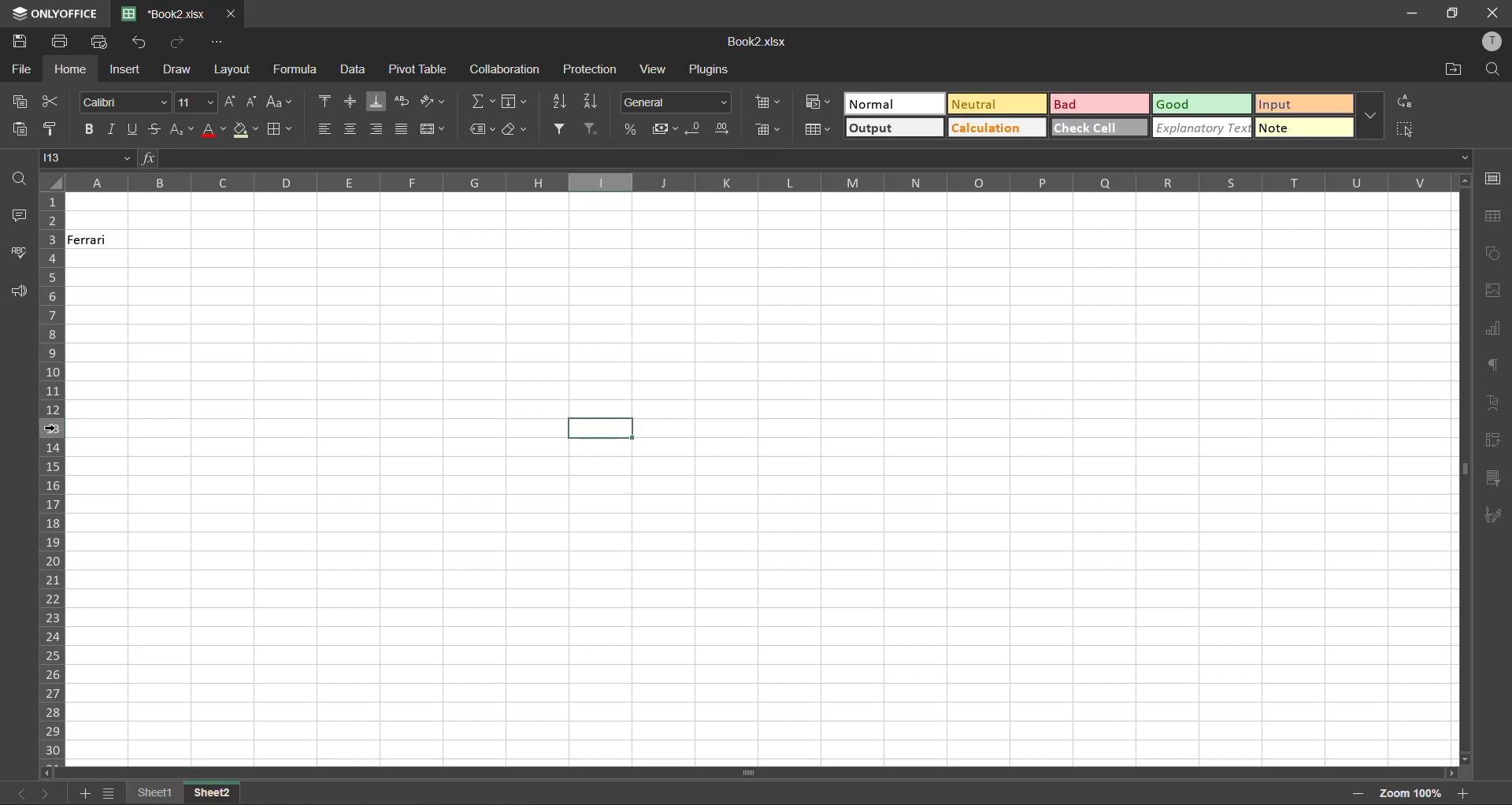 This screenshot has width=1512, height=805. What do you see at coordinates (632, 131) in the screenshot?
I see `percent` at bounding box center [632, 131].